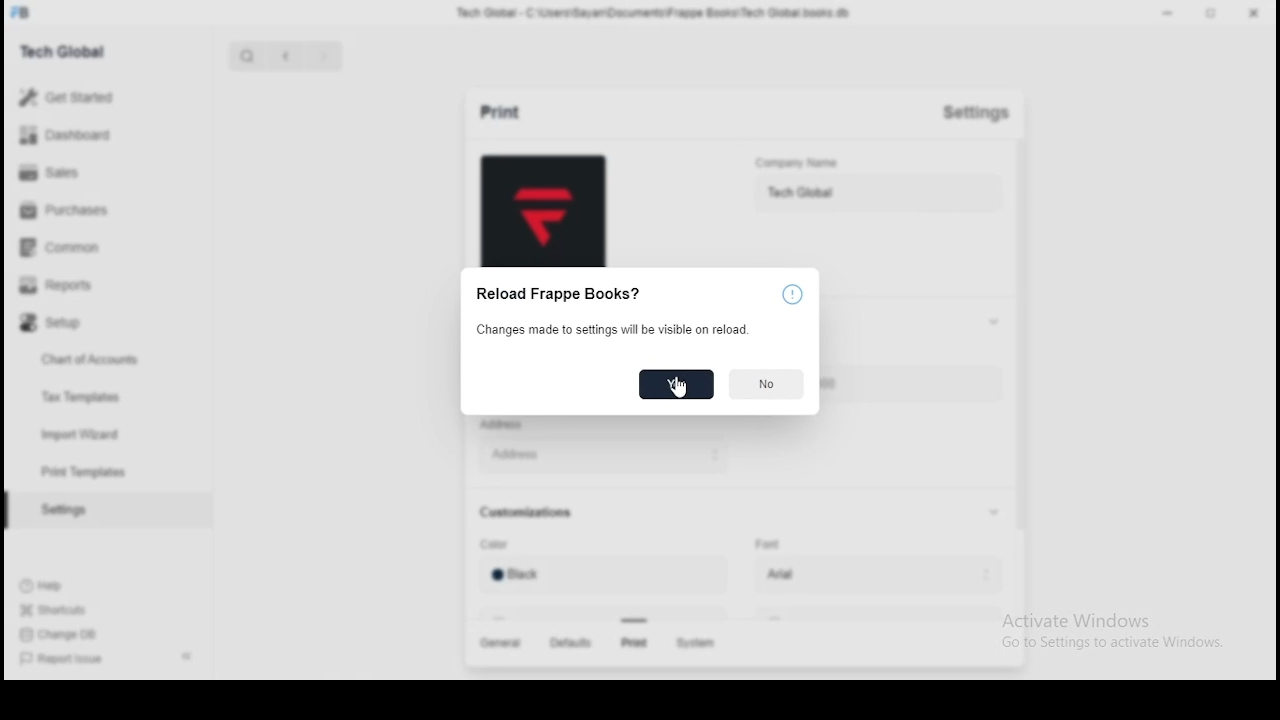 The width and height of the screenshot is (1280, 720). I want to click on Reports , so click(82, 288).